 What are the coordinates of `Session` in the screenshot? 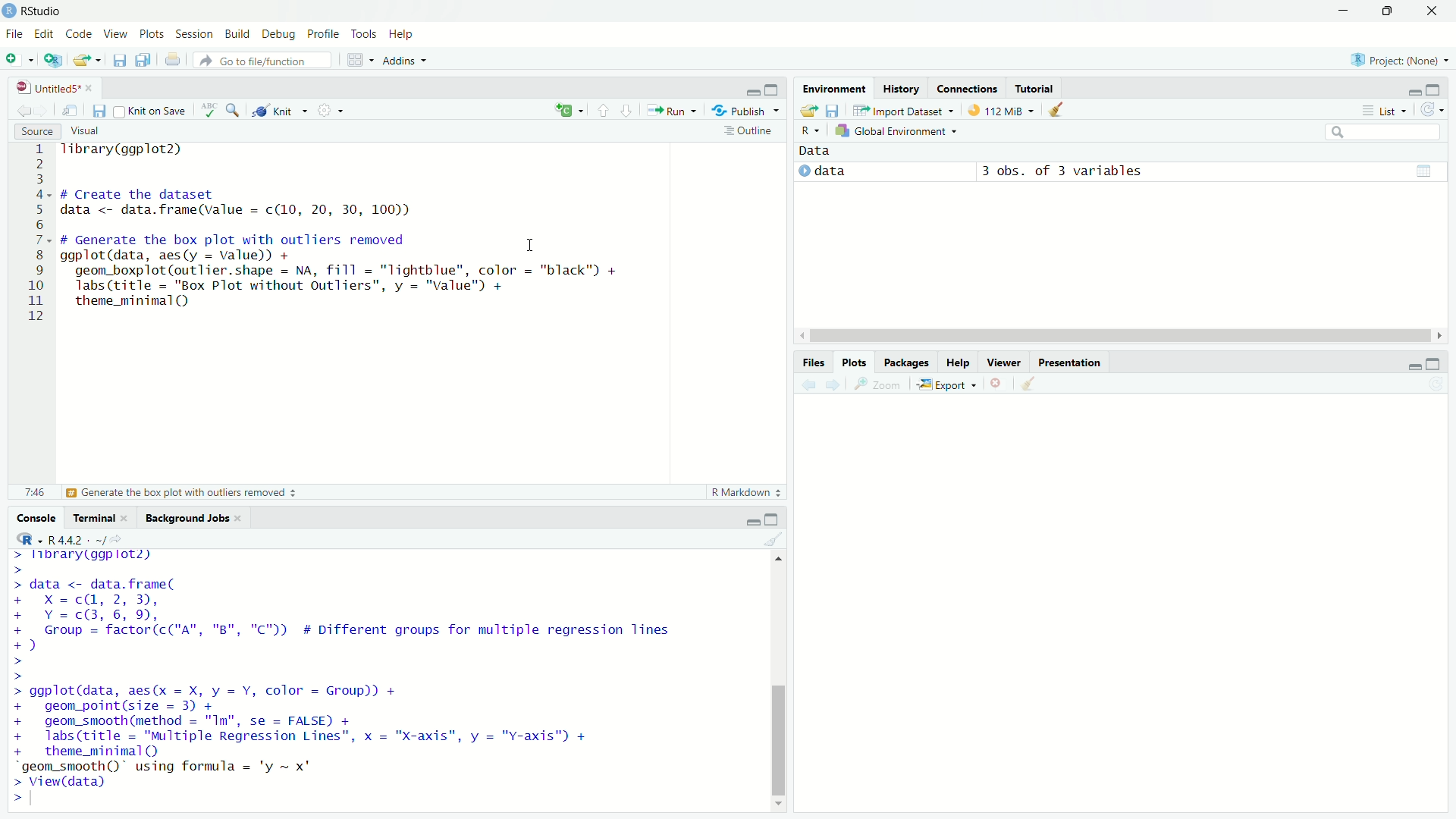 It's located at (196, 35).